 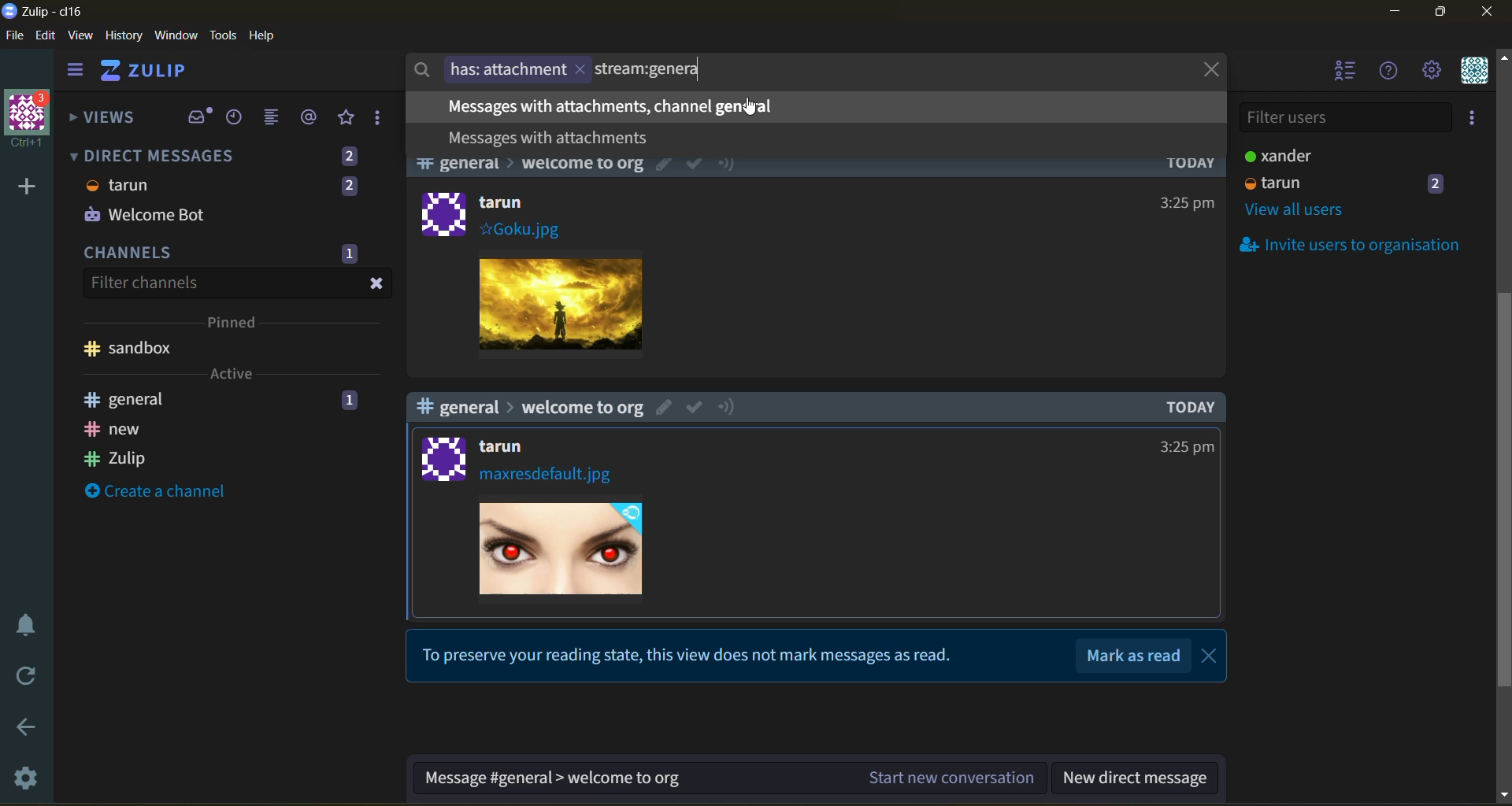 I want to click on Image, so click(x=561, y=301).